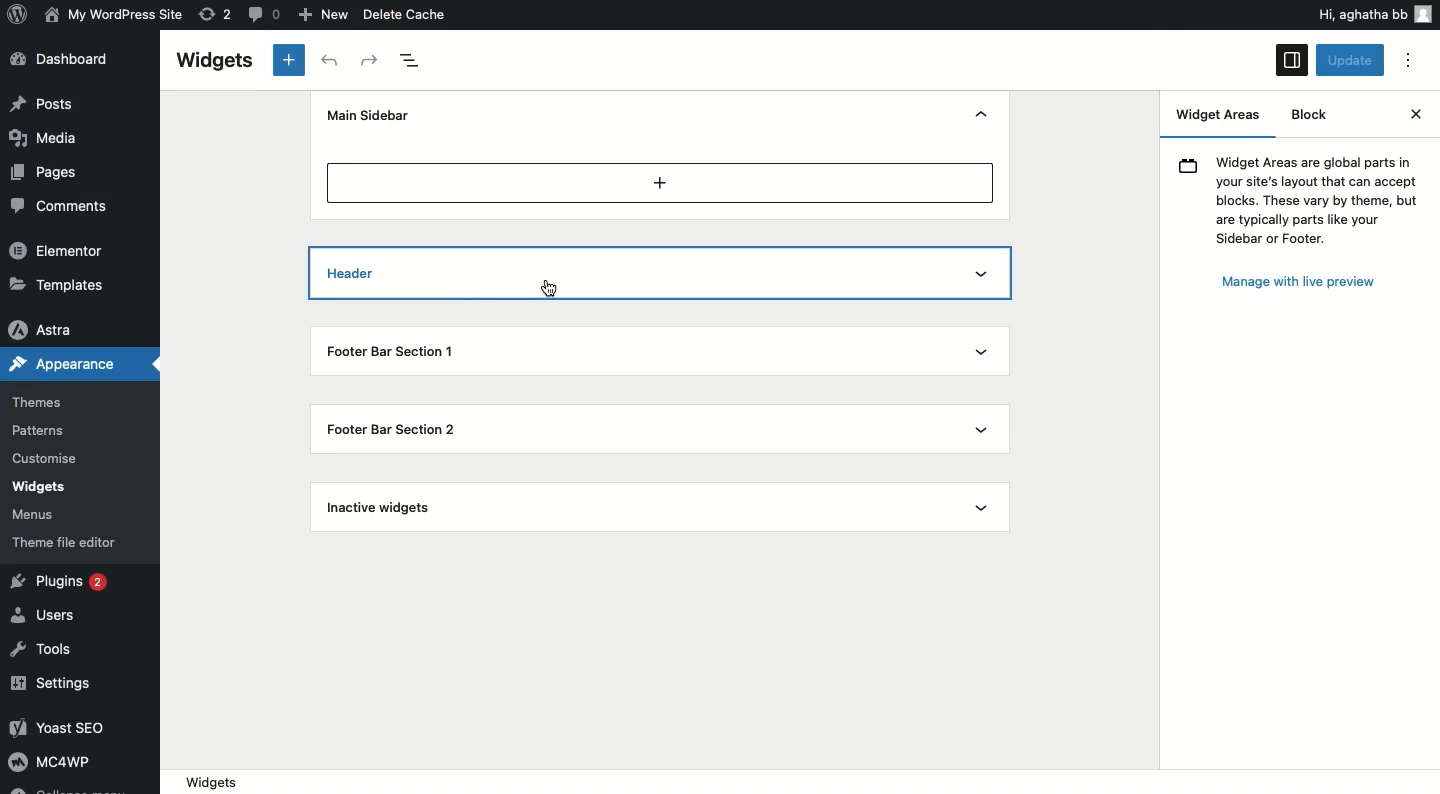 The height and width of the screenshot is (794, 1440). I want to click on Templates, so click(60, 283).